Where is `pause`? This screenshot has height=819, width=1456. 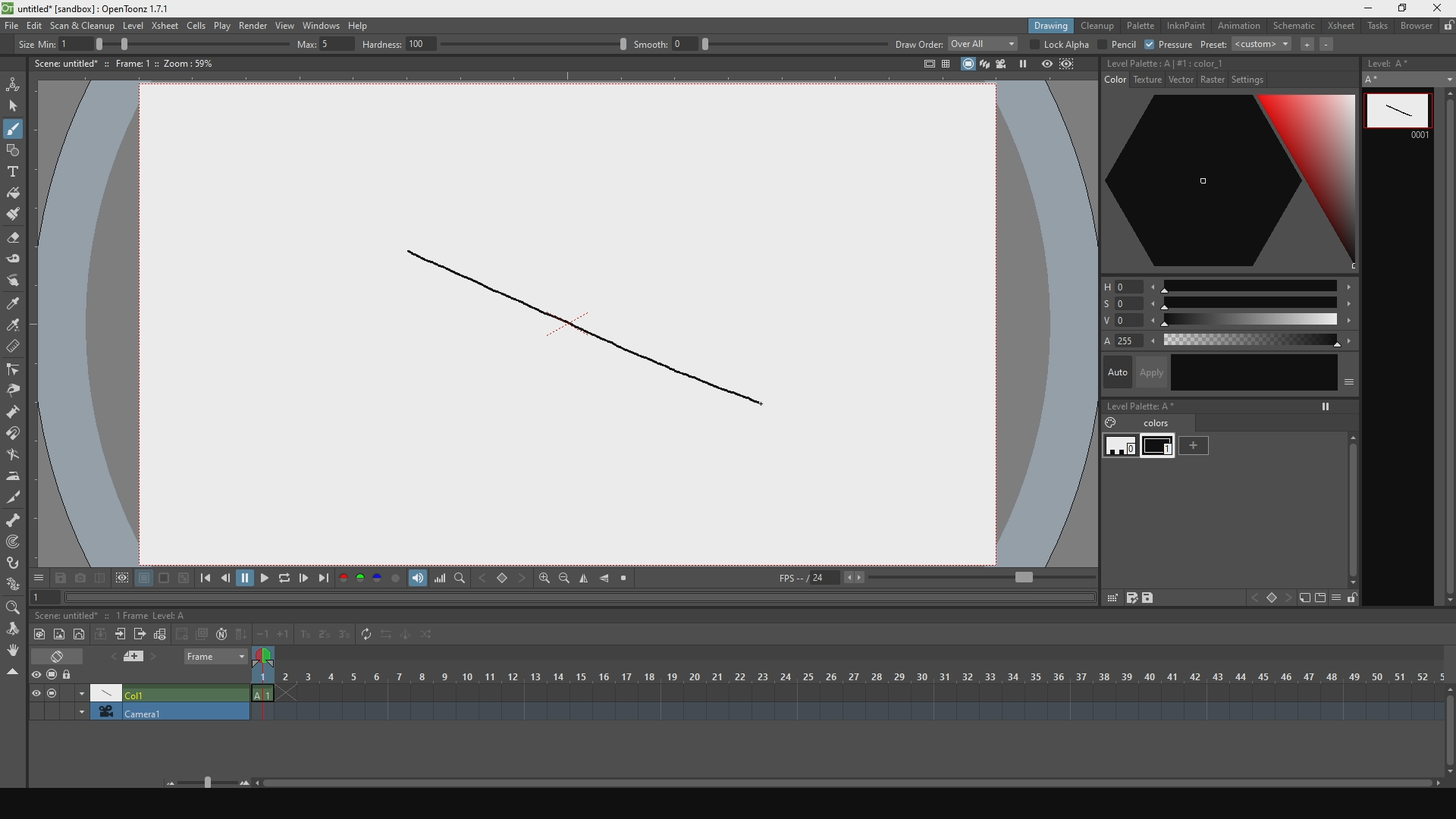
pause is located at coordinates (245, 579).